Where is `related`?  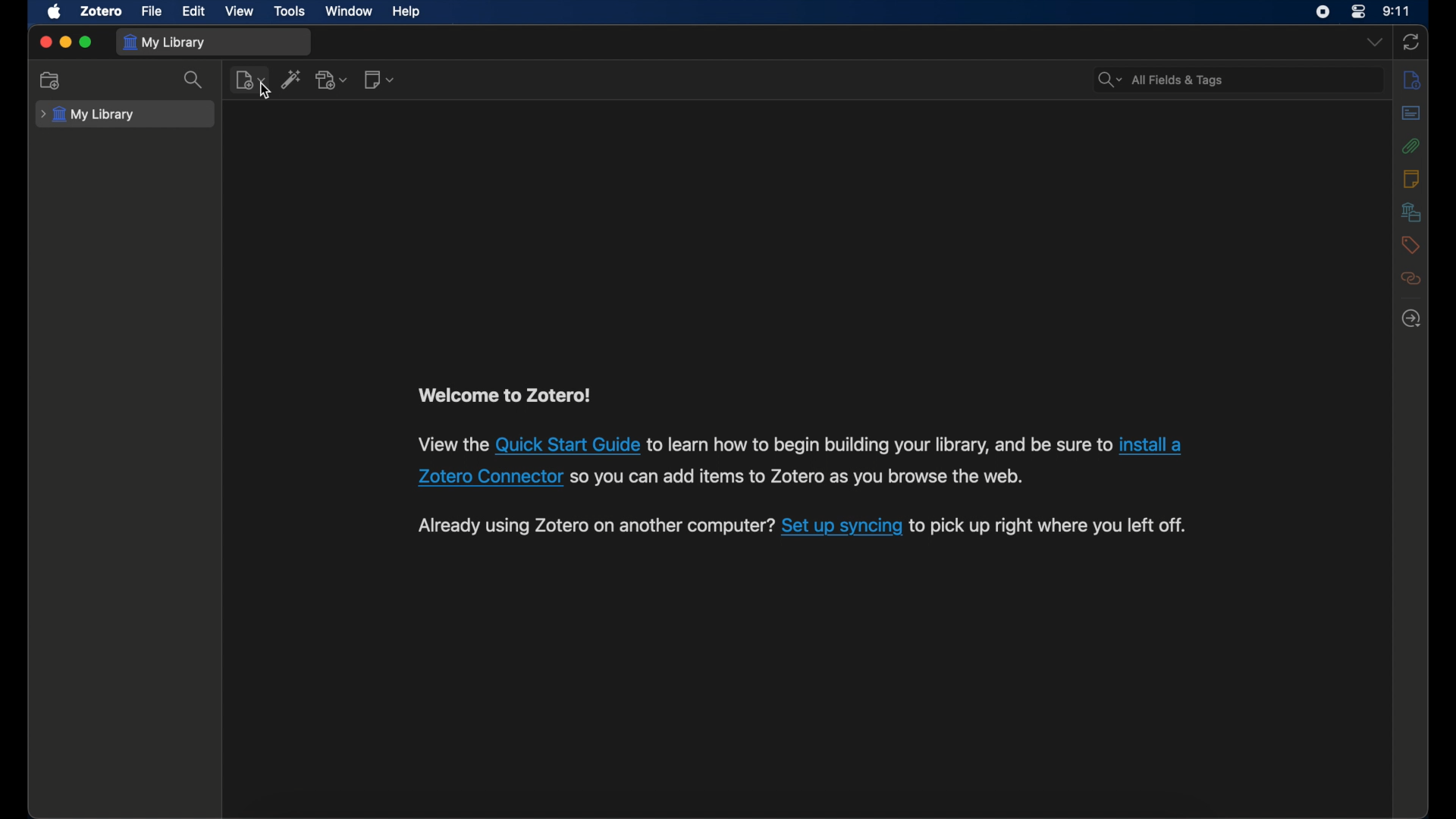 related is located at coordinates (1412, 278).